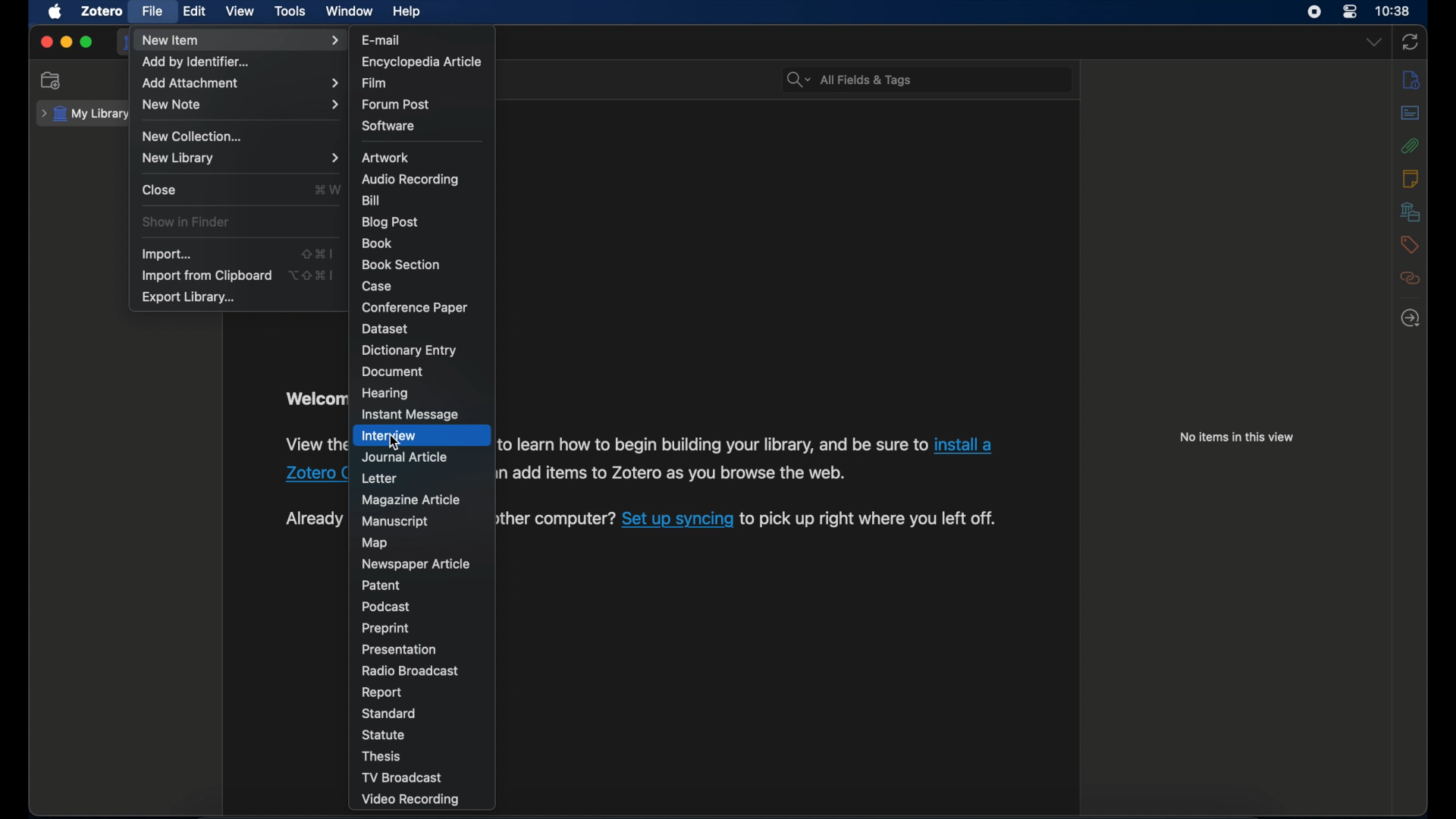 The height and width of the screenshot is (819, 1456). What do you see at coordinates (291, 12) in the screenshot?
I see `tools` at bounding box center [291, 12].